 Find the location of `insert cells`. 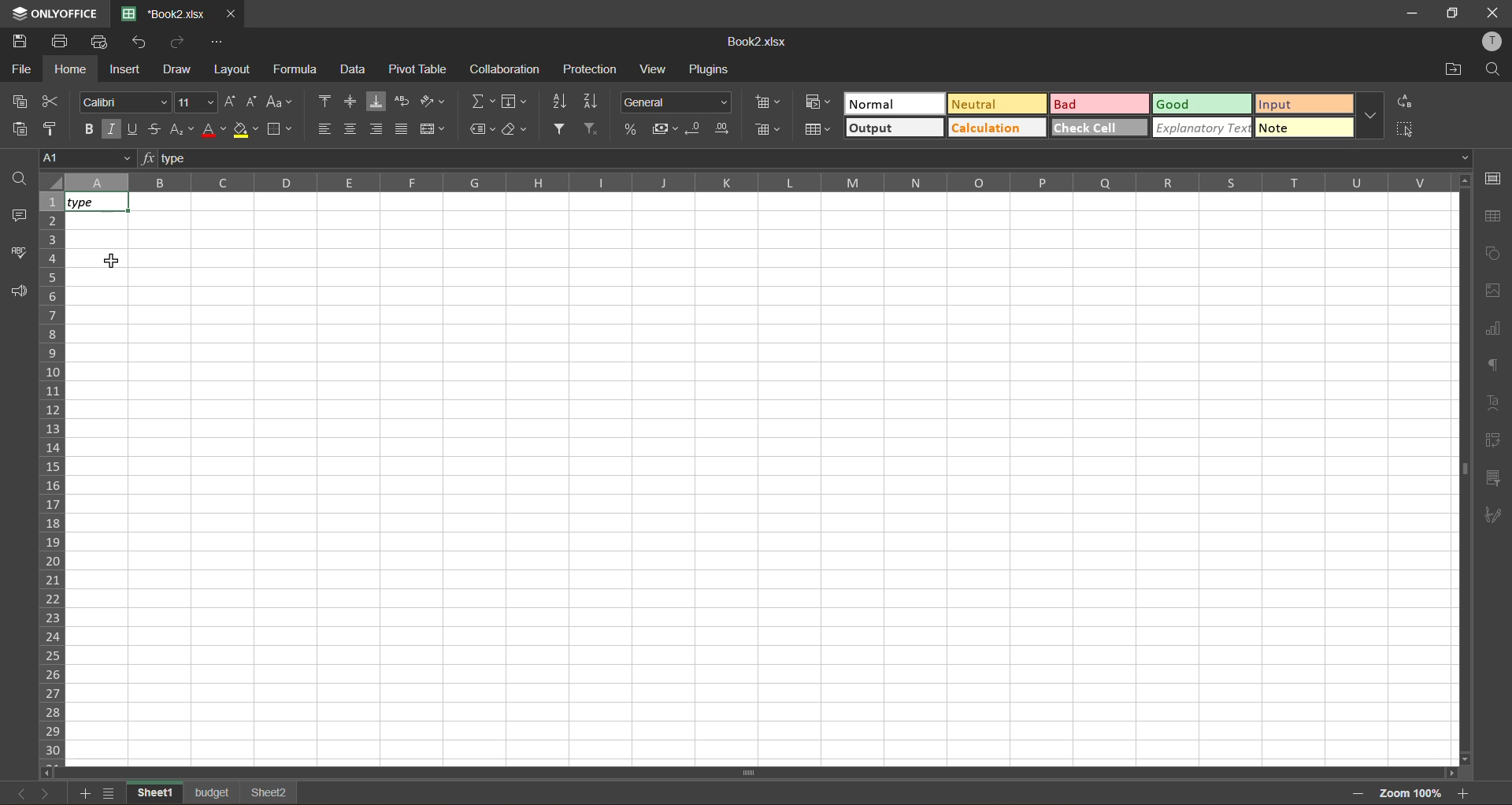

insert cells is located at coordinates (766, 101).